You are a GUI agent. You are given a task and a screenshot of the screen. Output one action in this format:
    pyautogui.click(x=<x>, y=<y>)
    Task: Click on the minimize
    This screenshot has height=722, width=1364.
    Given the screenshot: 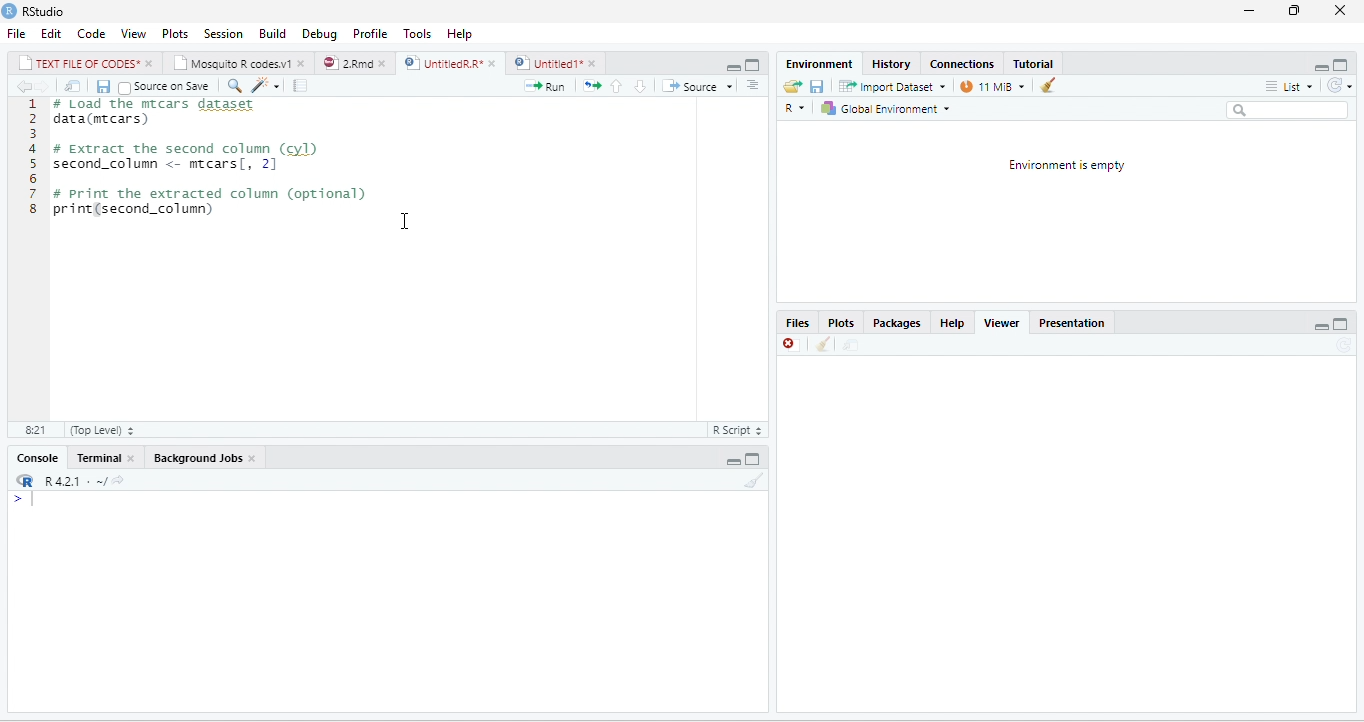 What is the action you would take?
    pyautogui.click(x=1323, y=64)
    